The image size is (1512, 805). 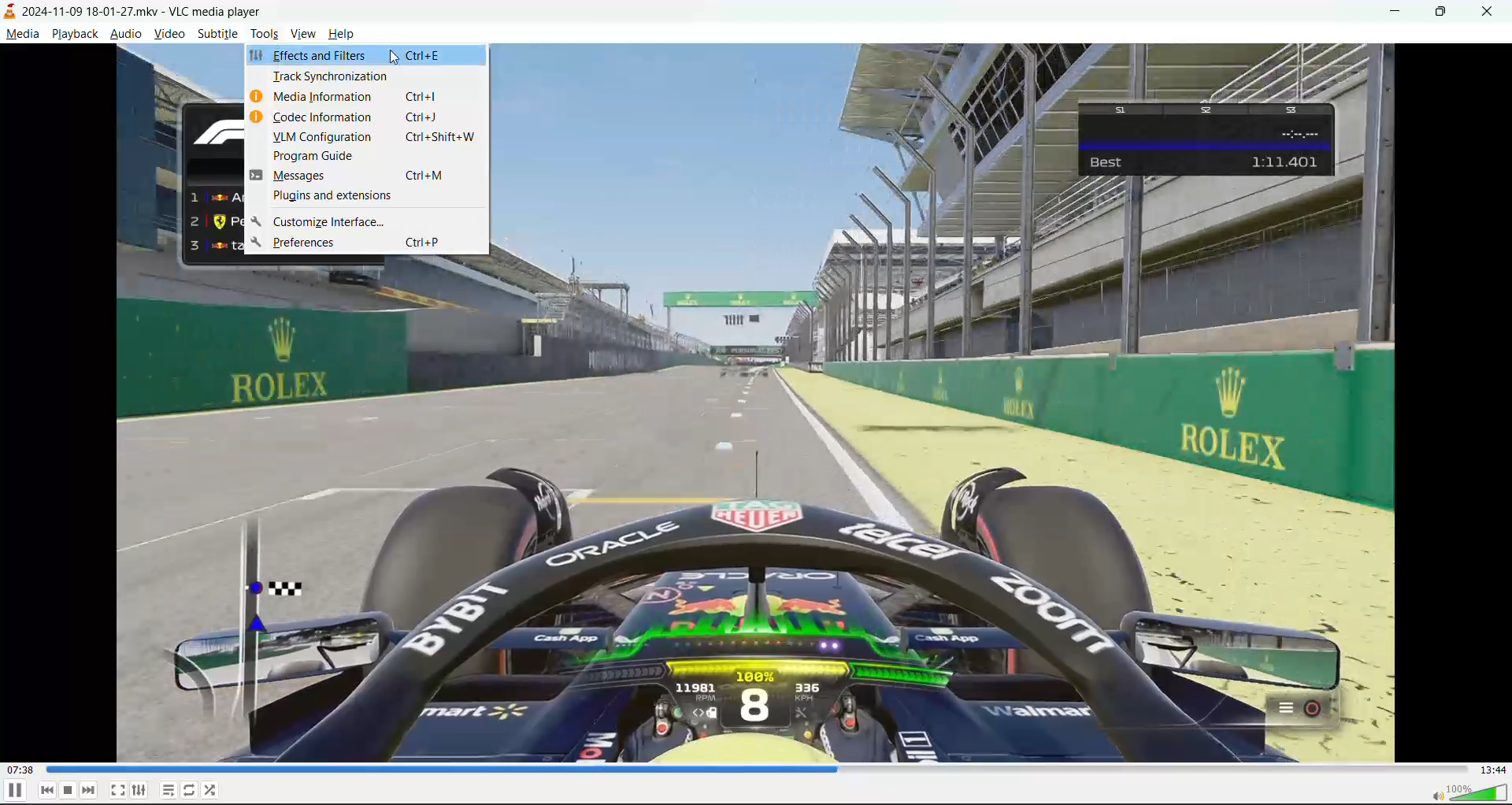 What do you see at coordinates (23, 770) in the screenshot?
I see `current track time` at bounding box center [23, 770].